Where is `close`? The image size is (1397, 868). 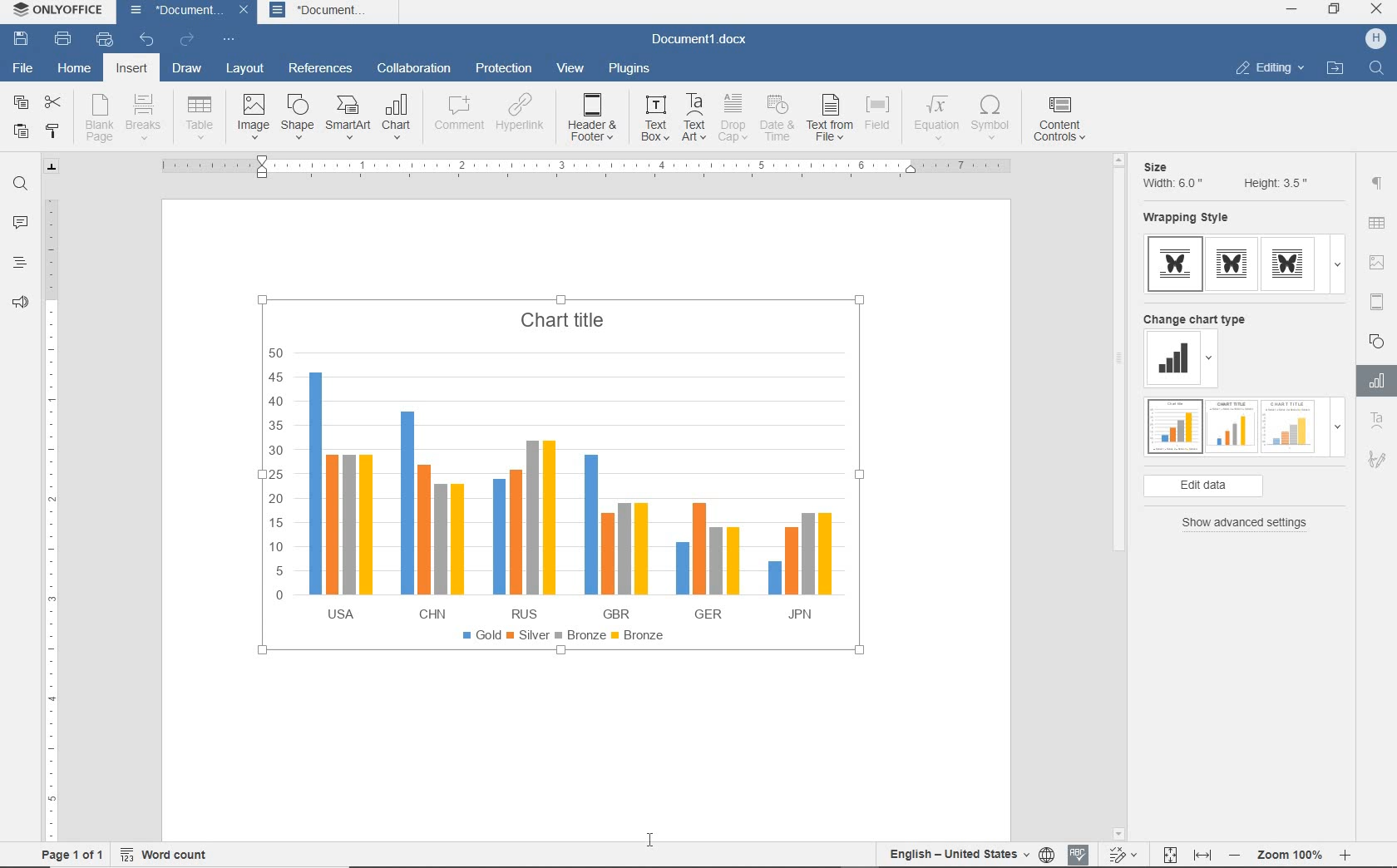
close is located at coordinates (1378, 11).